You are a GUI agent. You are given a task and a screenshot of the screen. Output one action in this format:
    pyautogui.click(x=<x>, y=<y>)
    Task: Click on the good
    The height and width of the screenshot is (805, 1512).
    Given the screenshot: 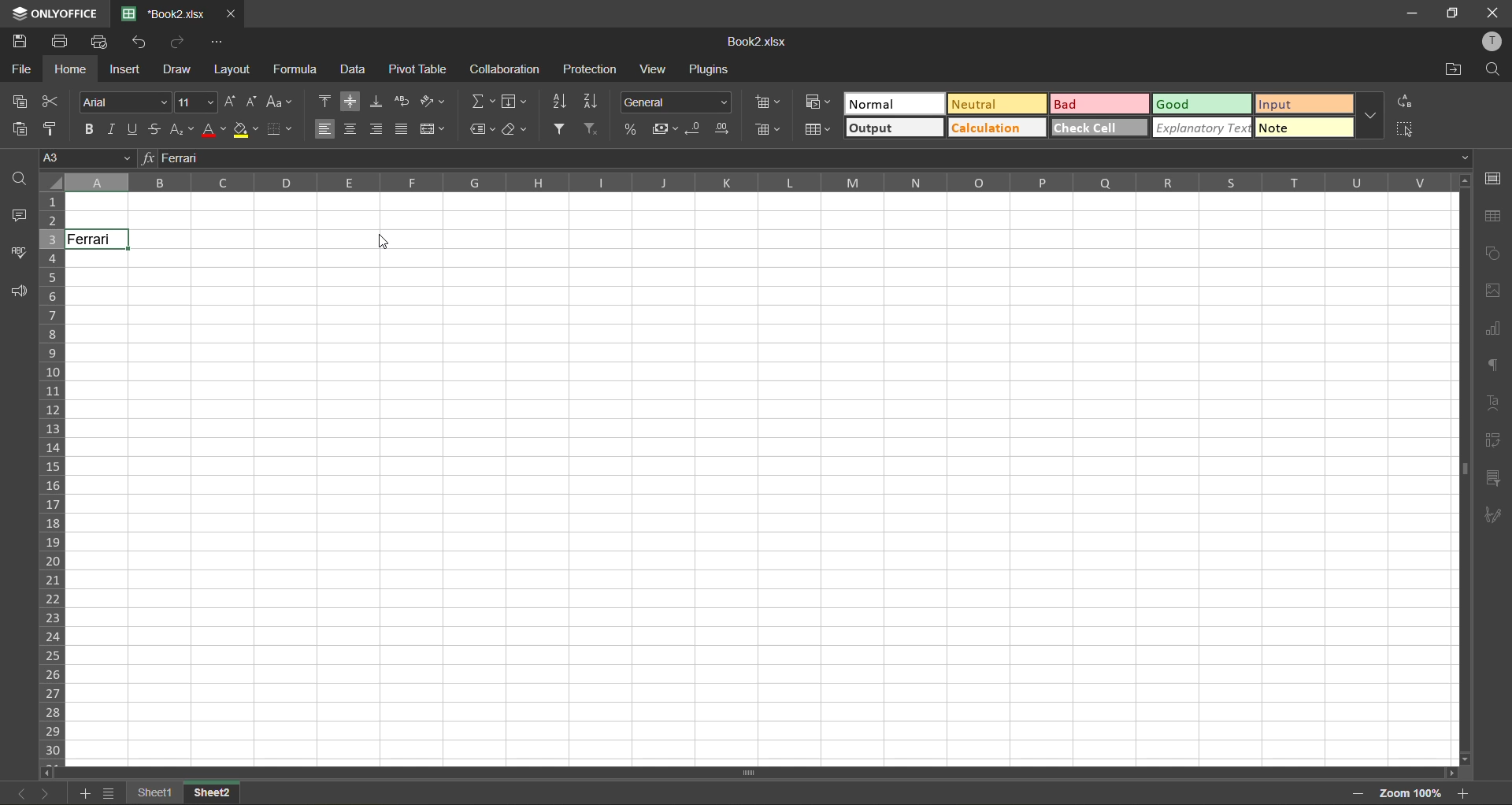 What is the action you would take?
    pyautogui.click(x=1203, y=105)
    